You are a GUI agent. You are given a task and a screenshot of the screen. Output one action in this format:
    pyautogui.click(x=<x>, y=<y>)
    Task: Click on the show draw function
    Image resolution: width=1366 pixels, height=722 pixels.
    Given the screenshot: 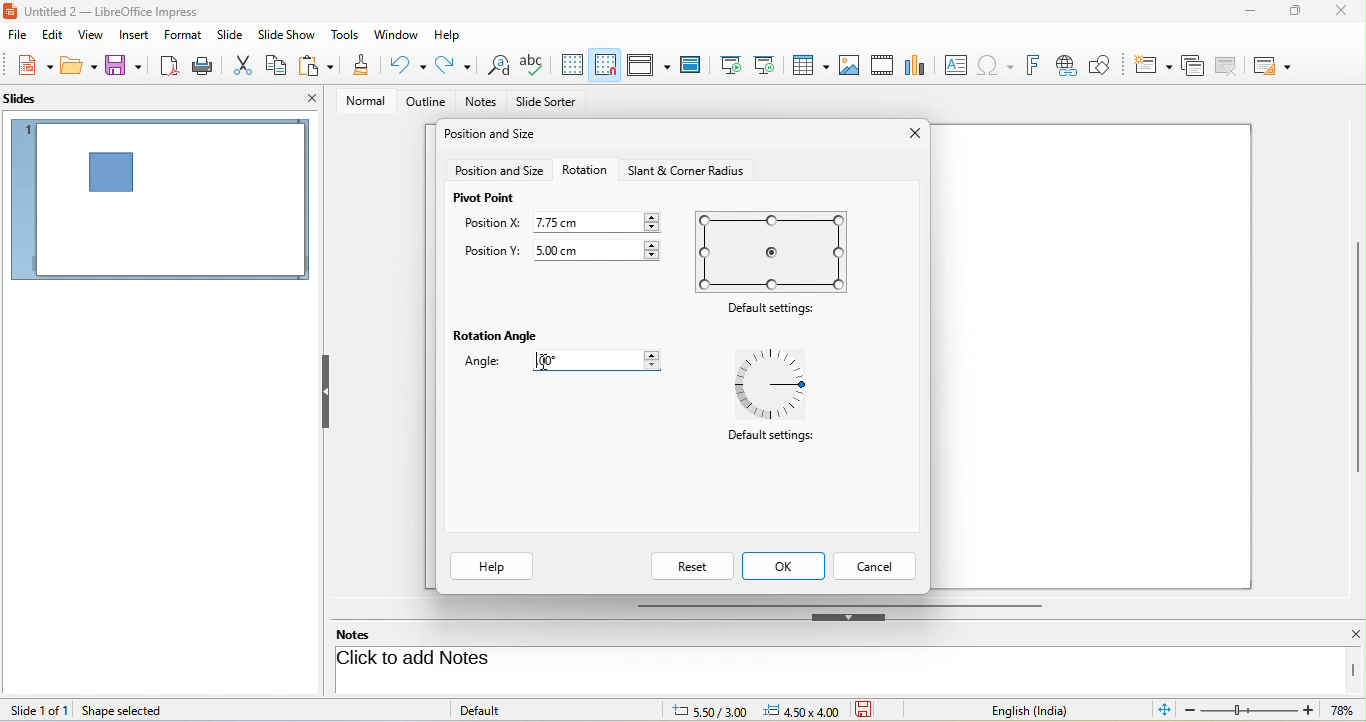 What is the action you would take?
    pyautogui.click(x=1109, y=63)
    